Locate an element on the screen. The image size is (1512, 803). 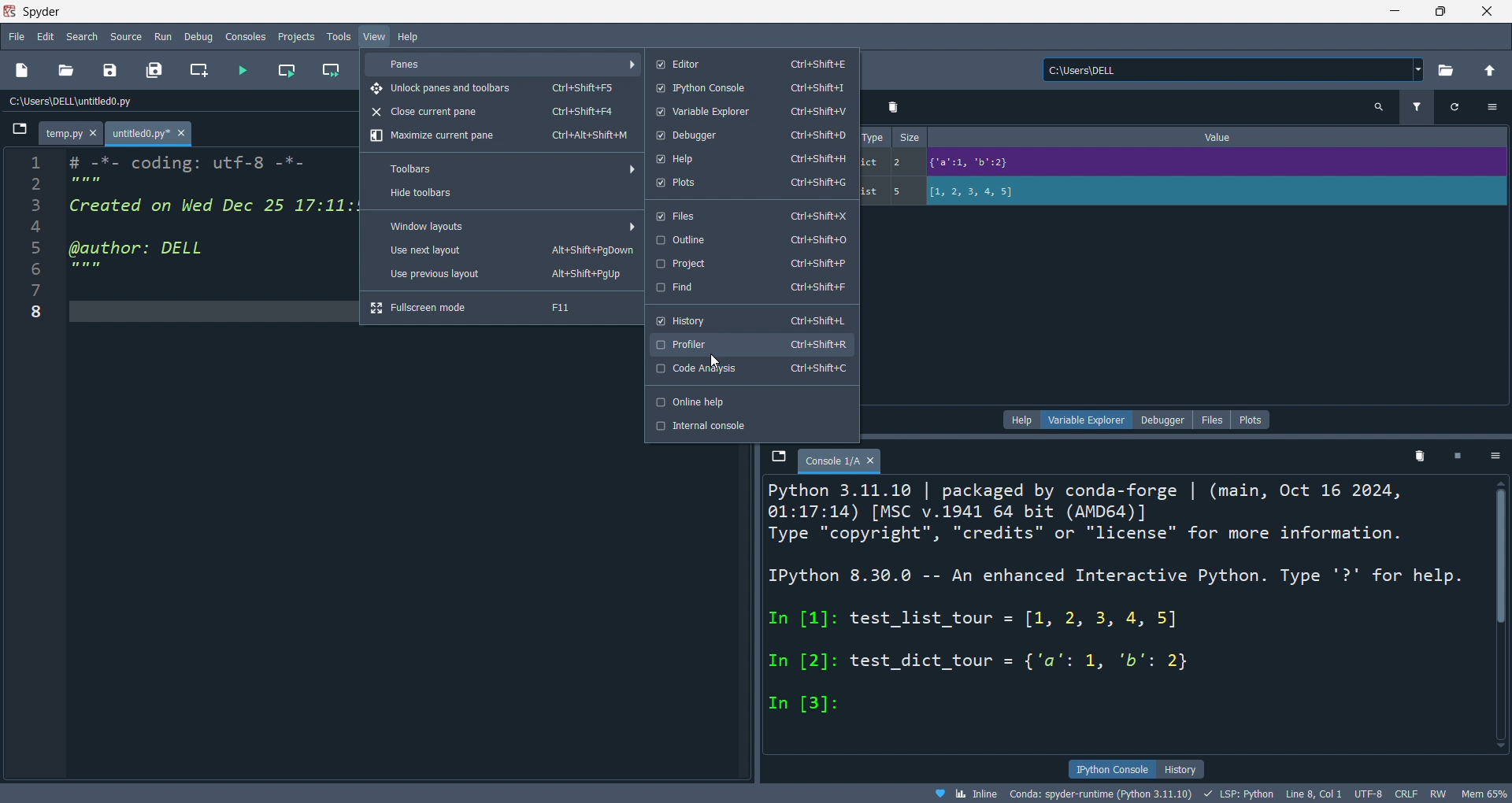
windows layout is located at coordinates (499, 225).